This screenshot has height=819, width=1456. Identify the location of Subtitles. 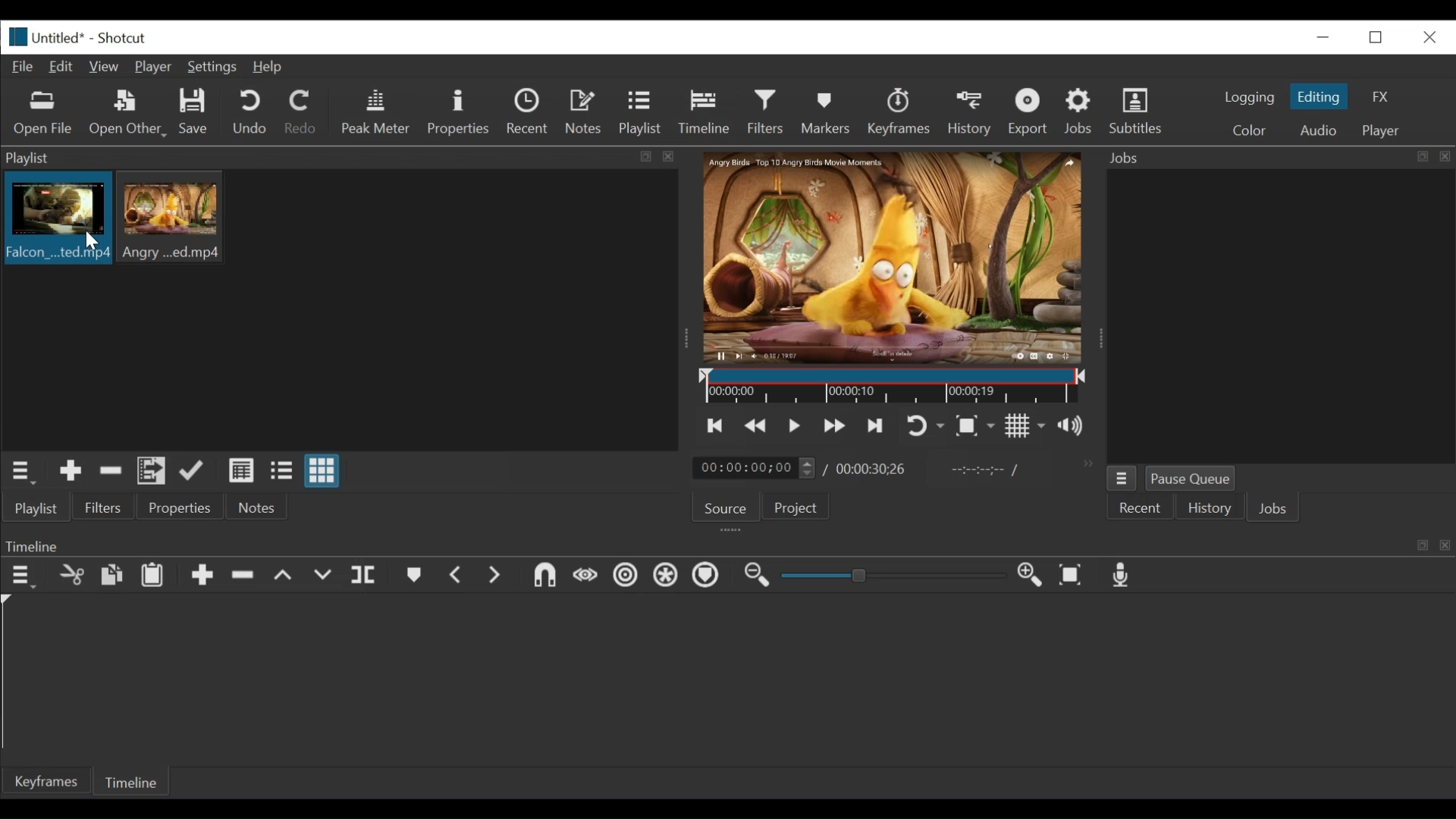
(1136, 111).